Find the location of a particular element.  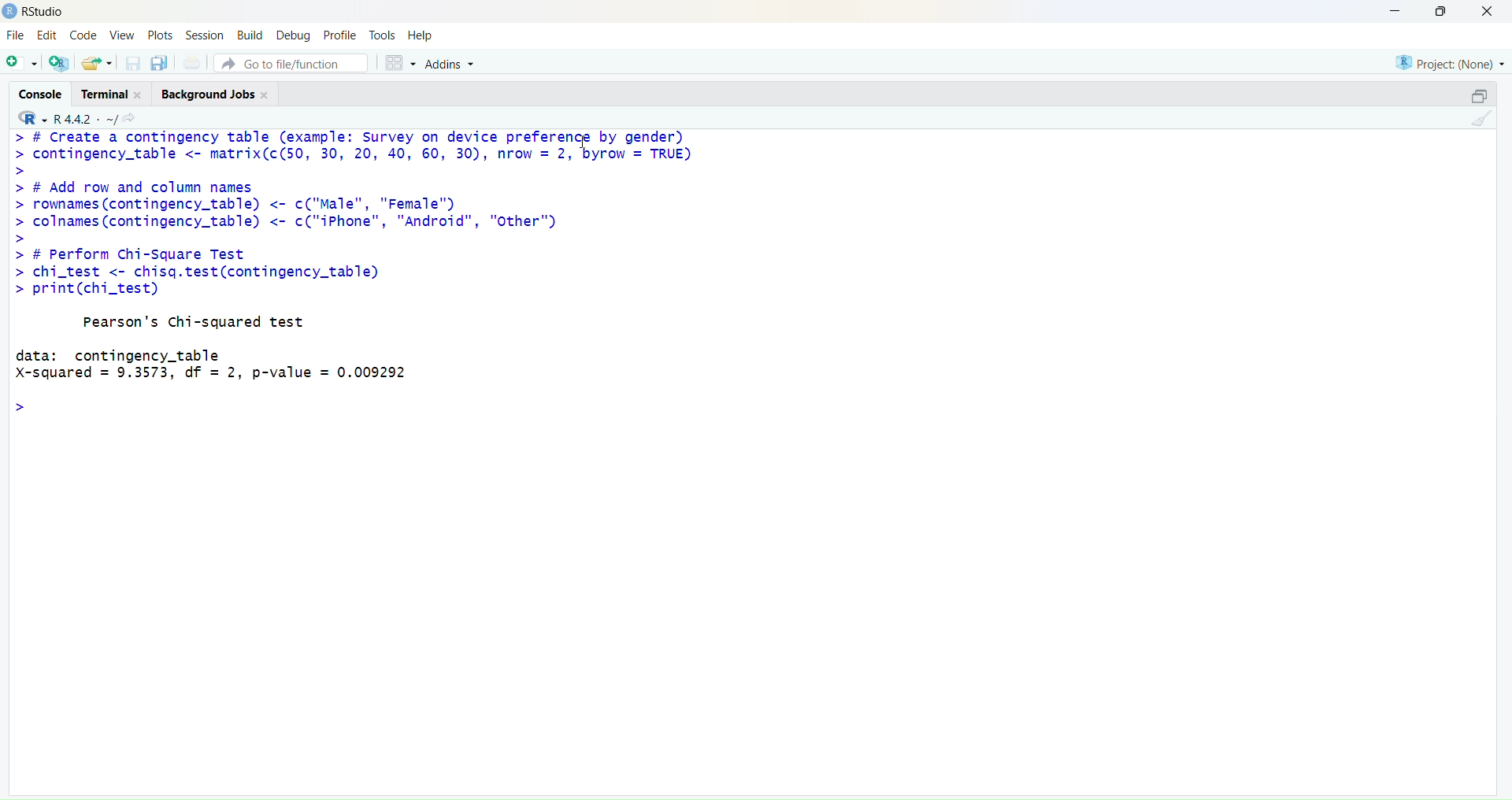

open in a pop window is located at coordinates (1478, 96).